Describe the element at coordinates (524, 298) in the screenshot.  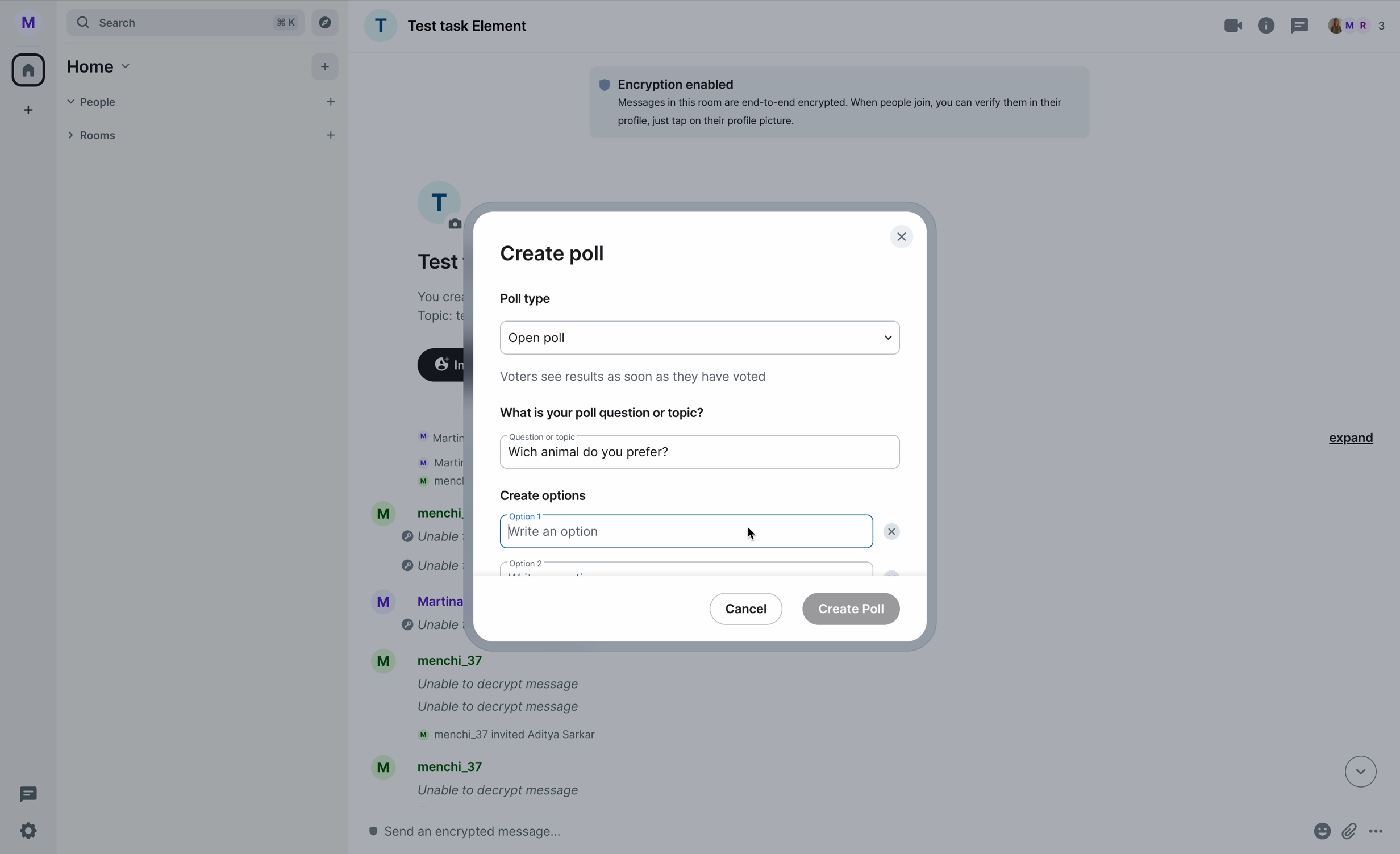
I see `poll type` at that location.